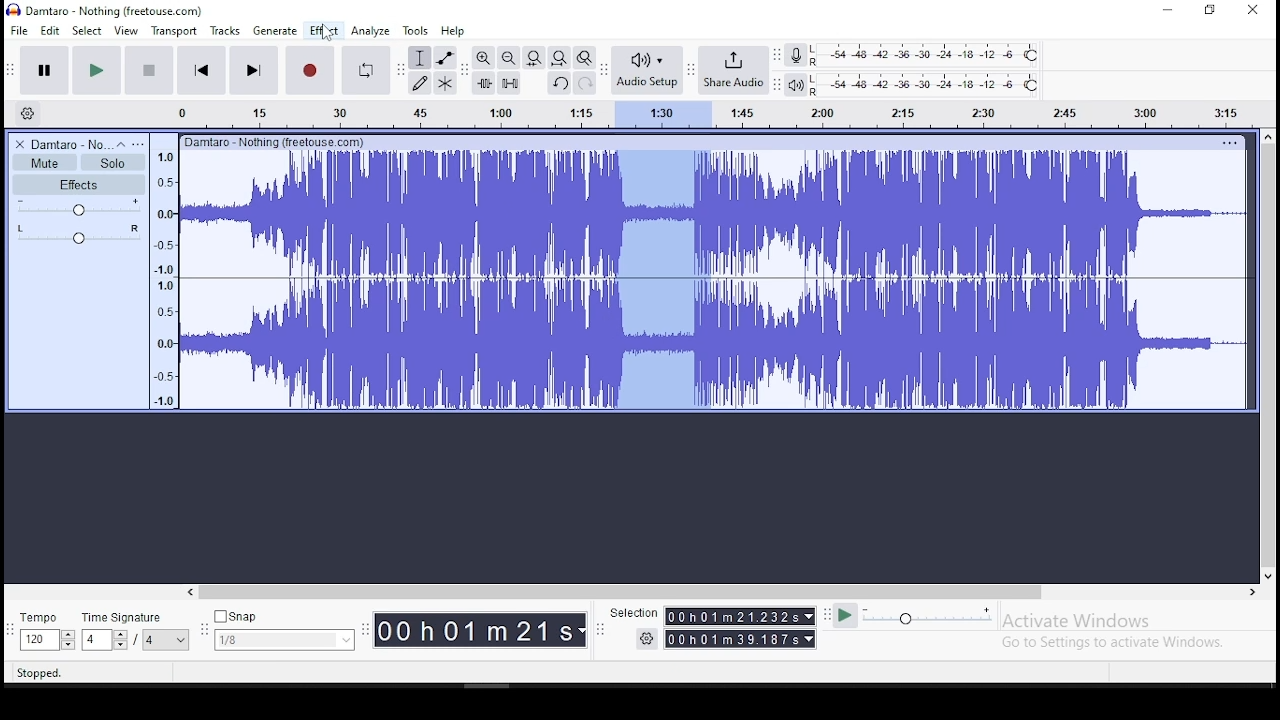 The image size is (1280, 720). What do you see at coordinates (731, 616) in the screenshot?
I see `00Oh01m 21.232` at bounding box center [731, 616].